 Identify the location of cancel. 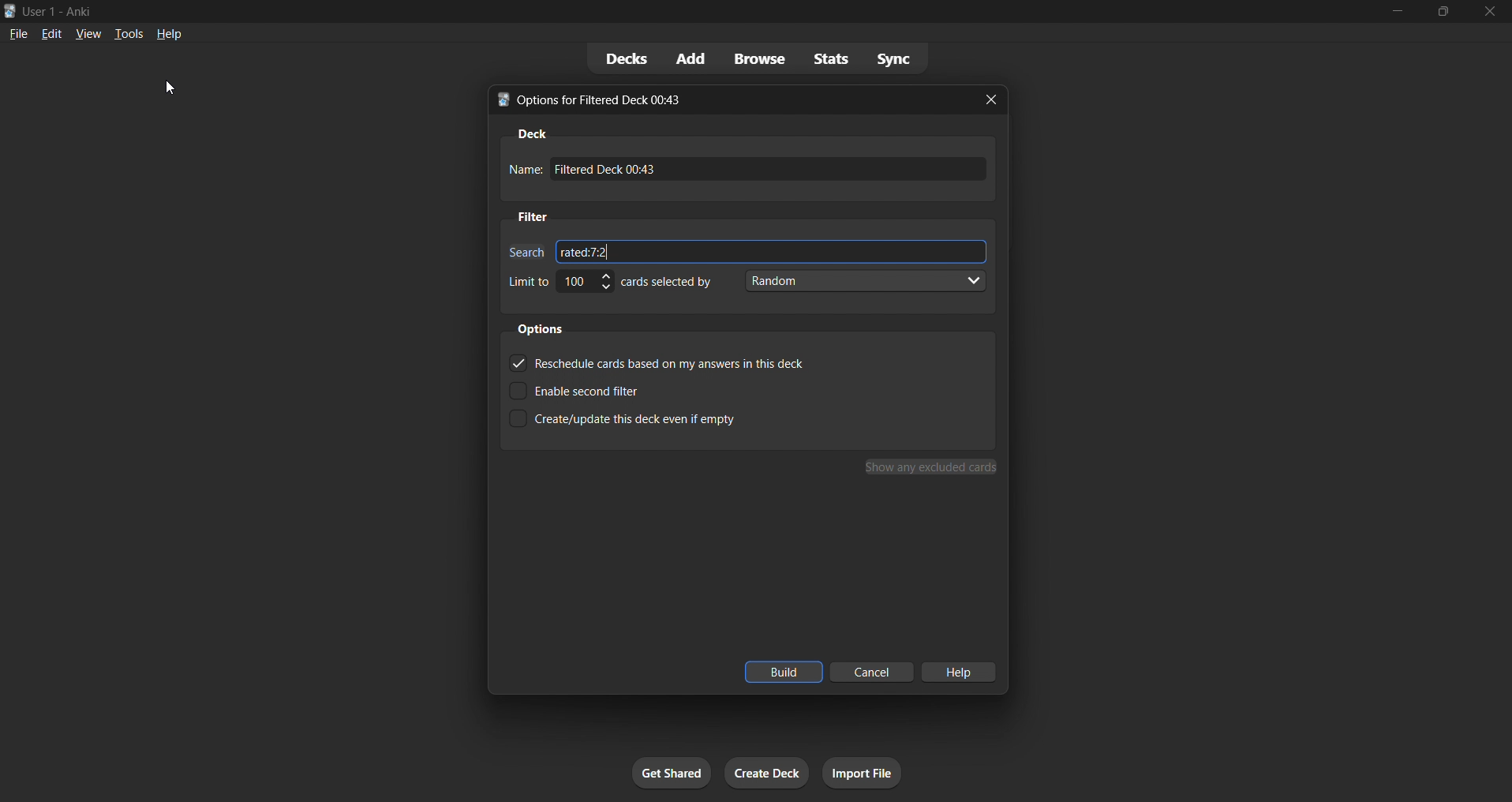
(870, 673).